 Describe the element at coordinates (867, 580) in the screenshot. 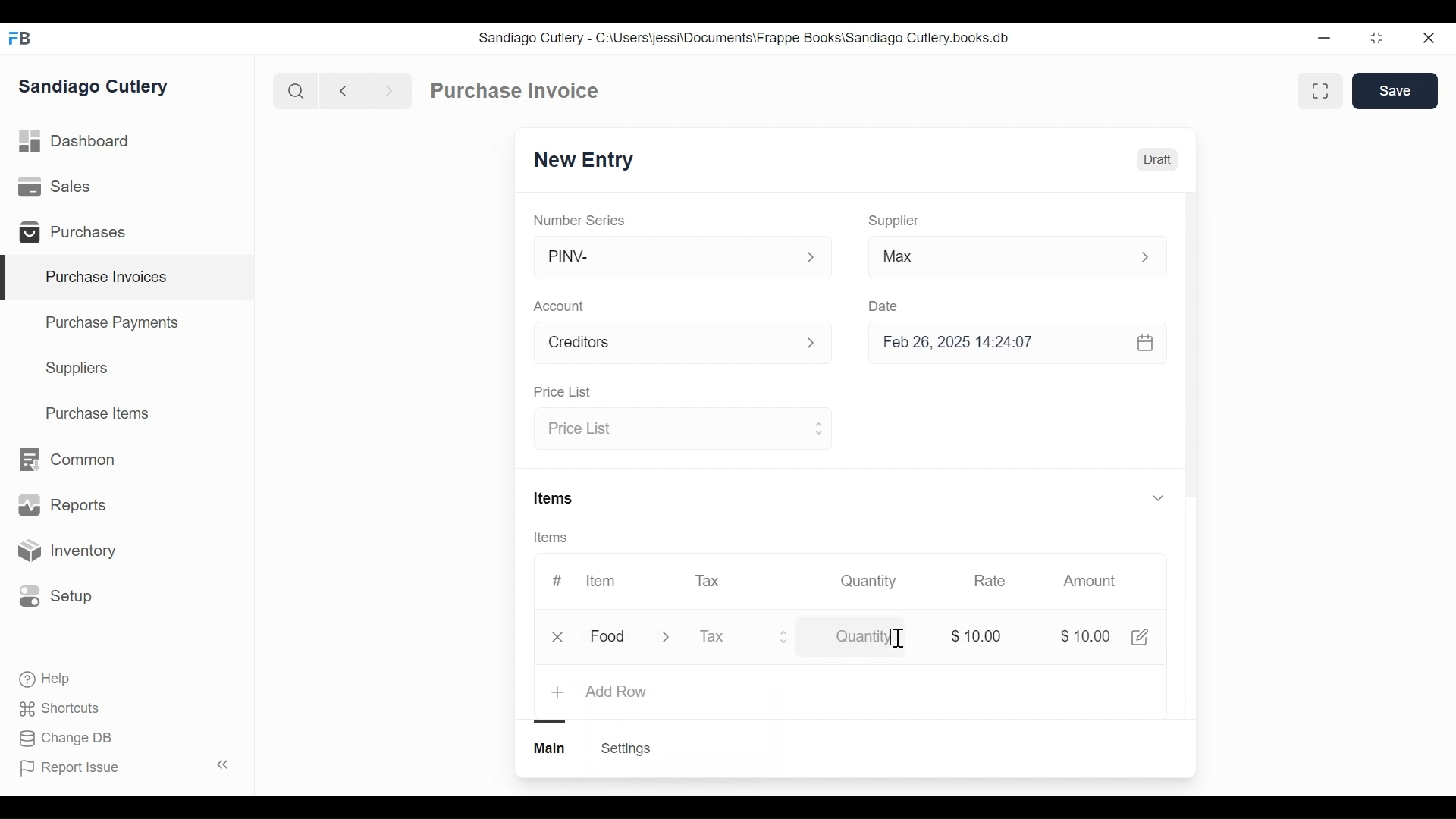

I see `Quantity` at that location.